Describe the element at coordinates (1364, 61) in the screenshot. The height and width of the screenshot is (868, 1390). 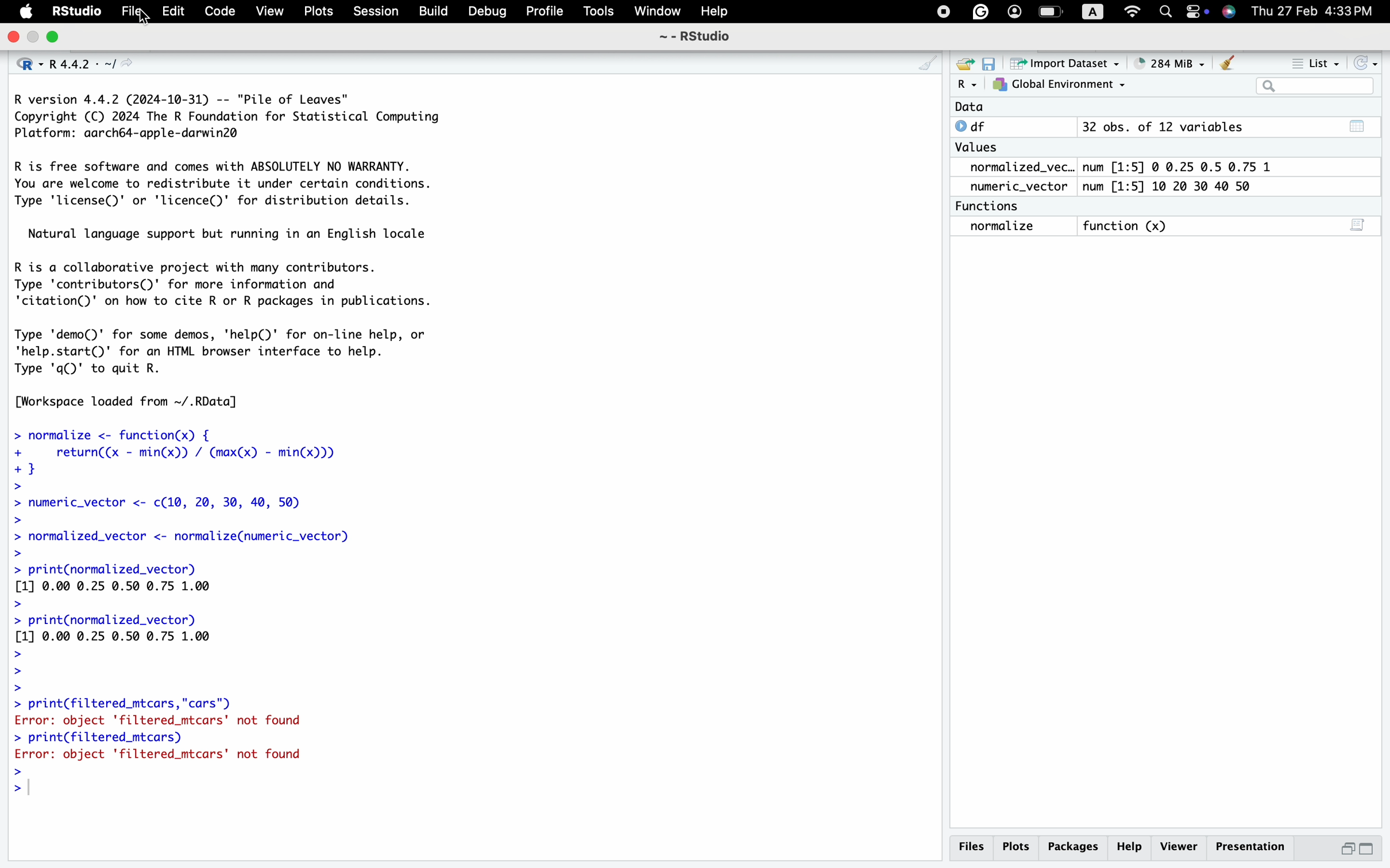
I see `REFRESH` at that location.